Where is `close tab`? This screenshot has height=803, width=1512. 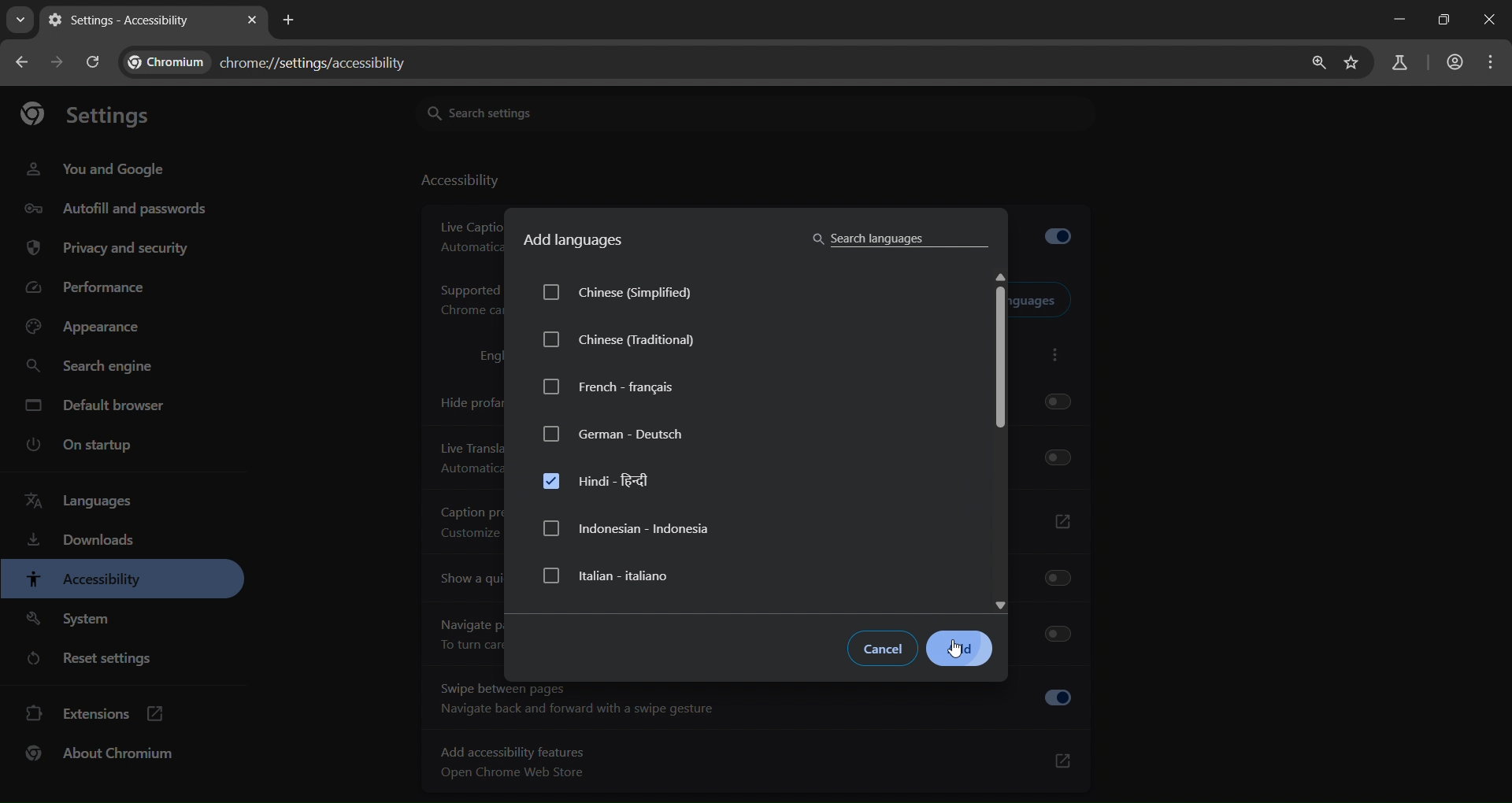 close tab is located at coordinates (252, 21).